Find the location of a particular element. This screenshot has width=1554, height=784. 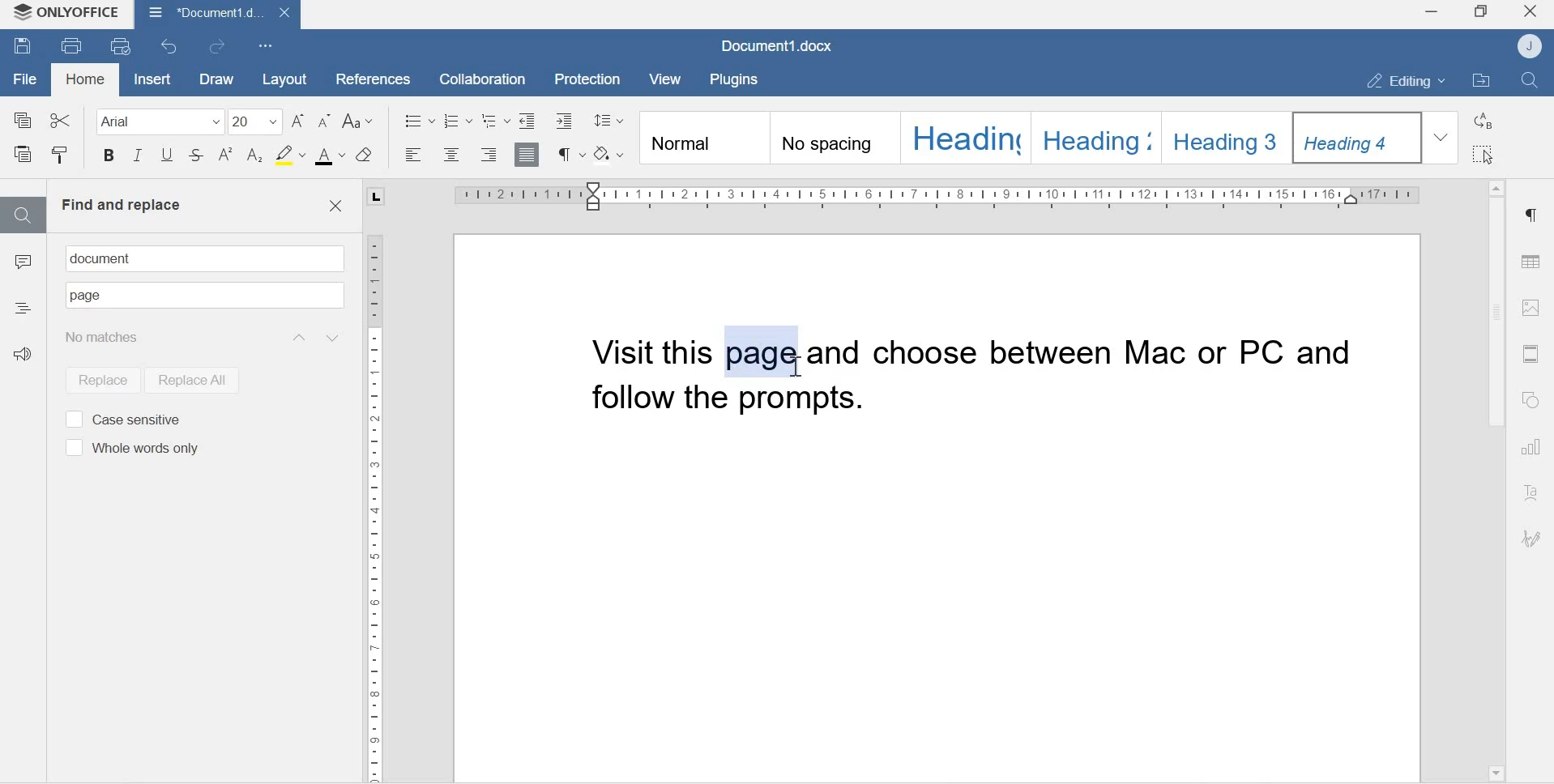

Next result is located at coordinates (335, 337).